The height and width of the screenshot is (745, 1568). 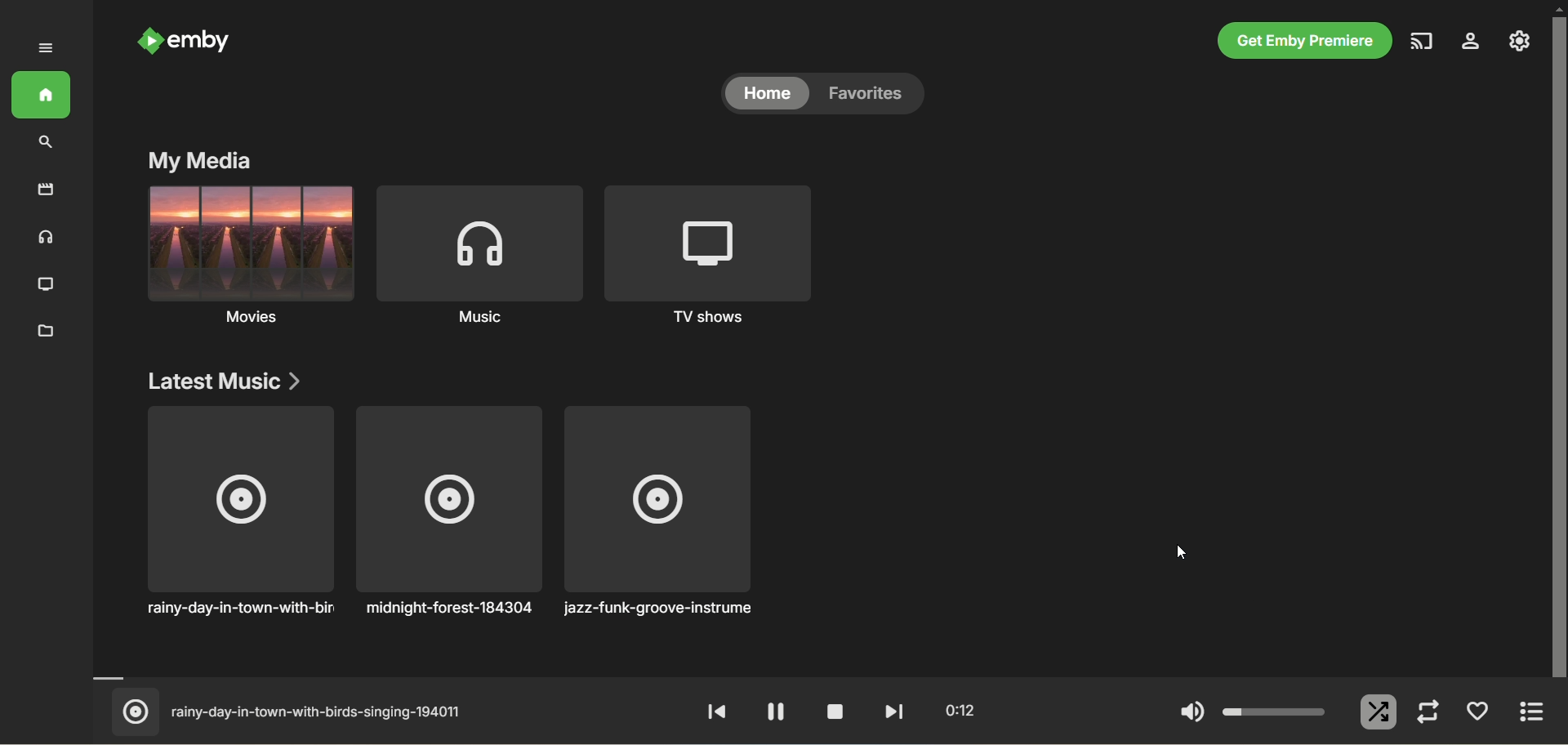 I want to click on movies, so click(x=40, y=193).